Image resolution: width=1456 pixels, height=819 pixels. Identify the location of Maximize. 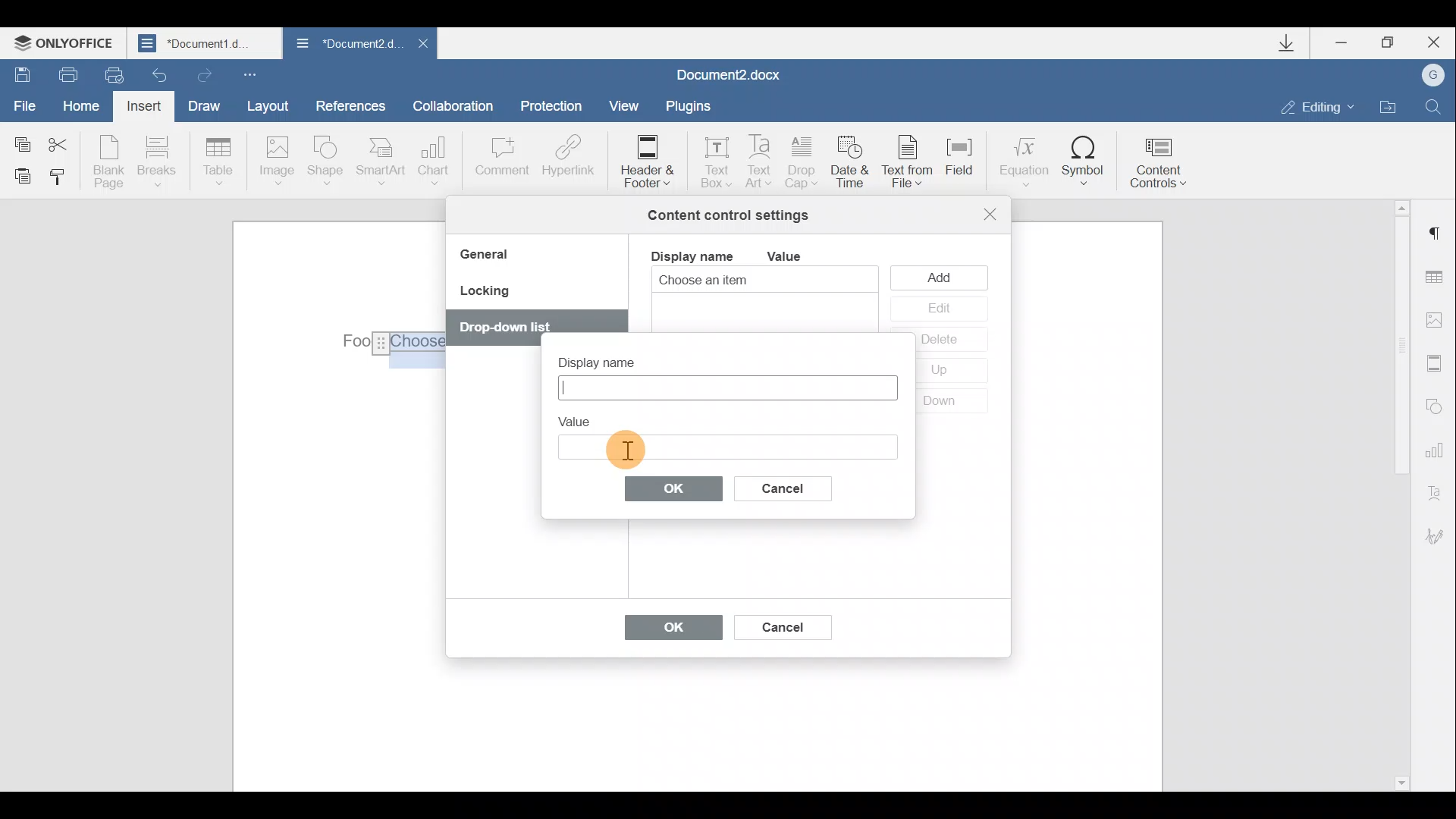
(1389, 43).